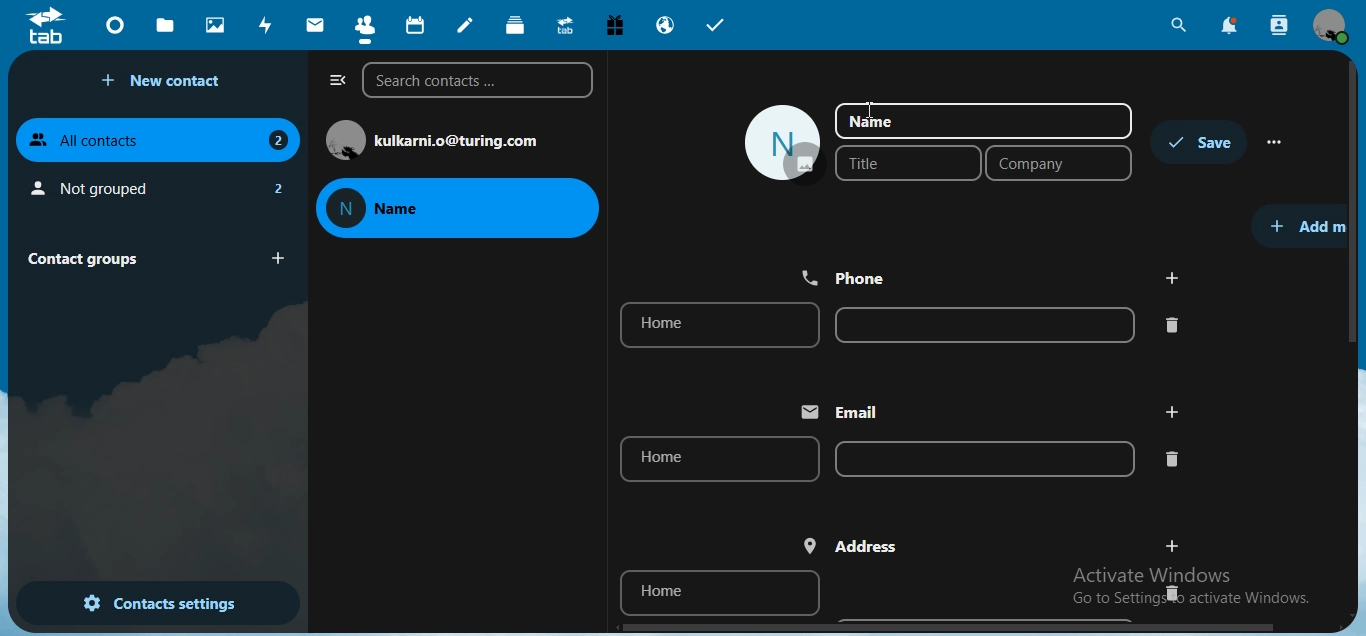  What do you see at coordinates (716, 25) in the screenshot?
I see `tasks` at bounding box center [716, 25].